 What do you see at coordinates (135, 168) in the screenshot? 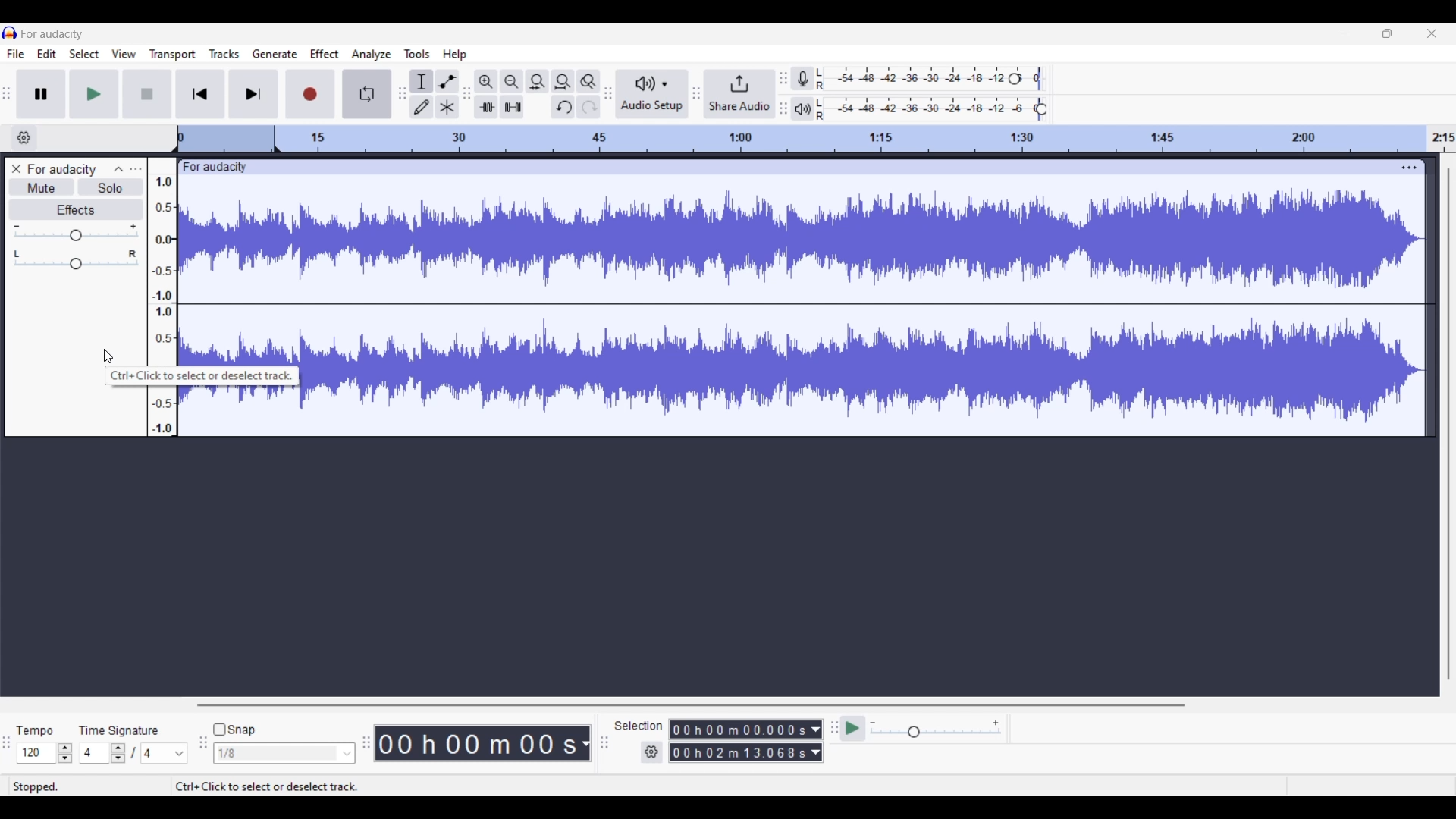
I see `Open menu` at bounding box center [135, 168].